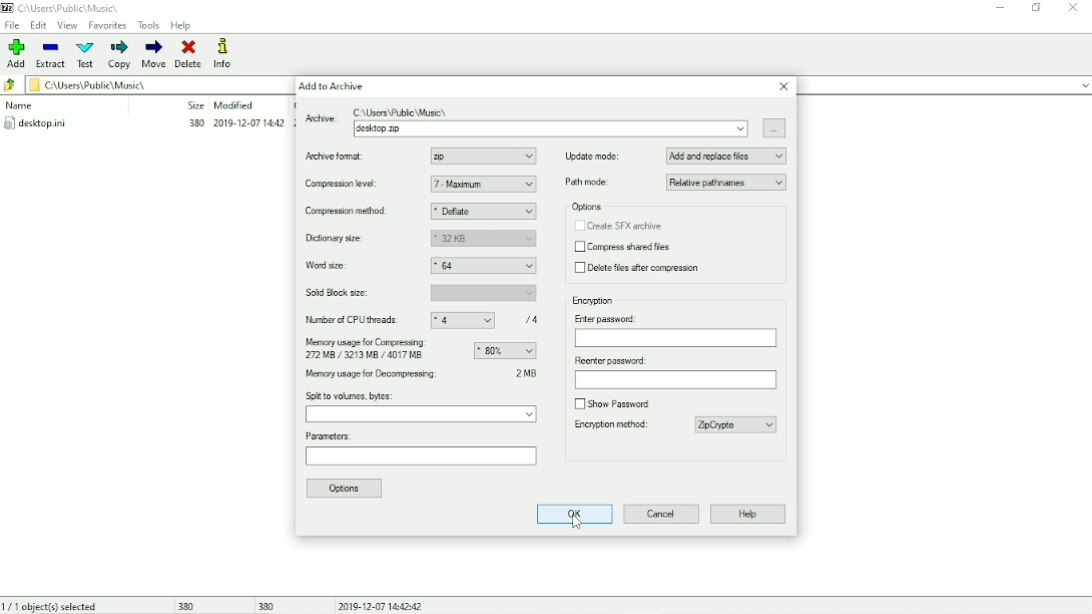 The image size is (1092, 614). Describe the element at coordinates (51, 56) in the screenshot. I see `Extract` at that location.